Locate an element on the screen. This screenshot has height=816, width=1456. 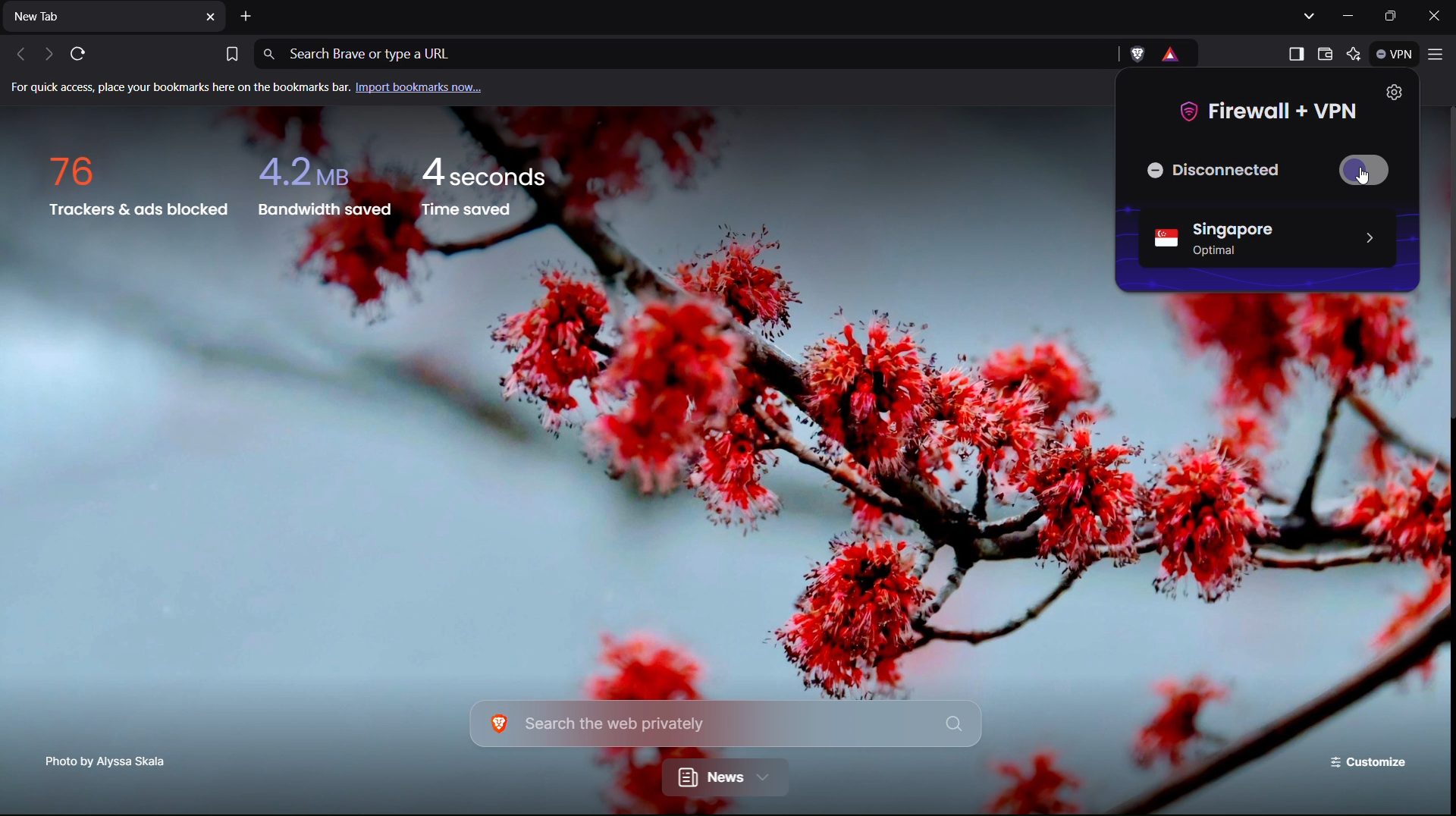
virus warning icon is located at coordinates (1175, 56).